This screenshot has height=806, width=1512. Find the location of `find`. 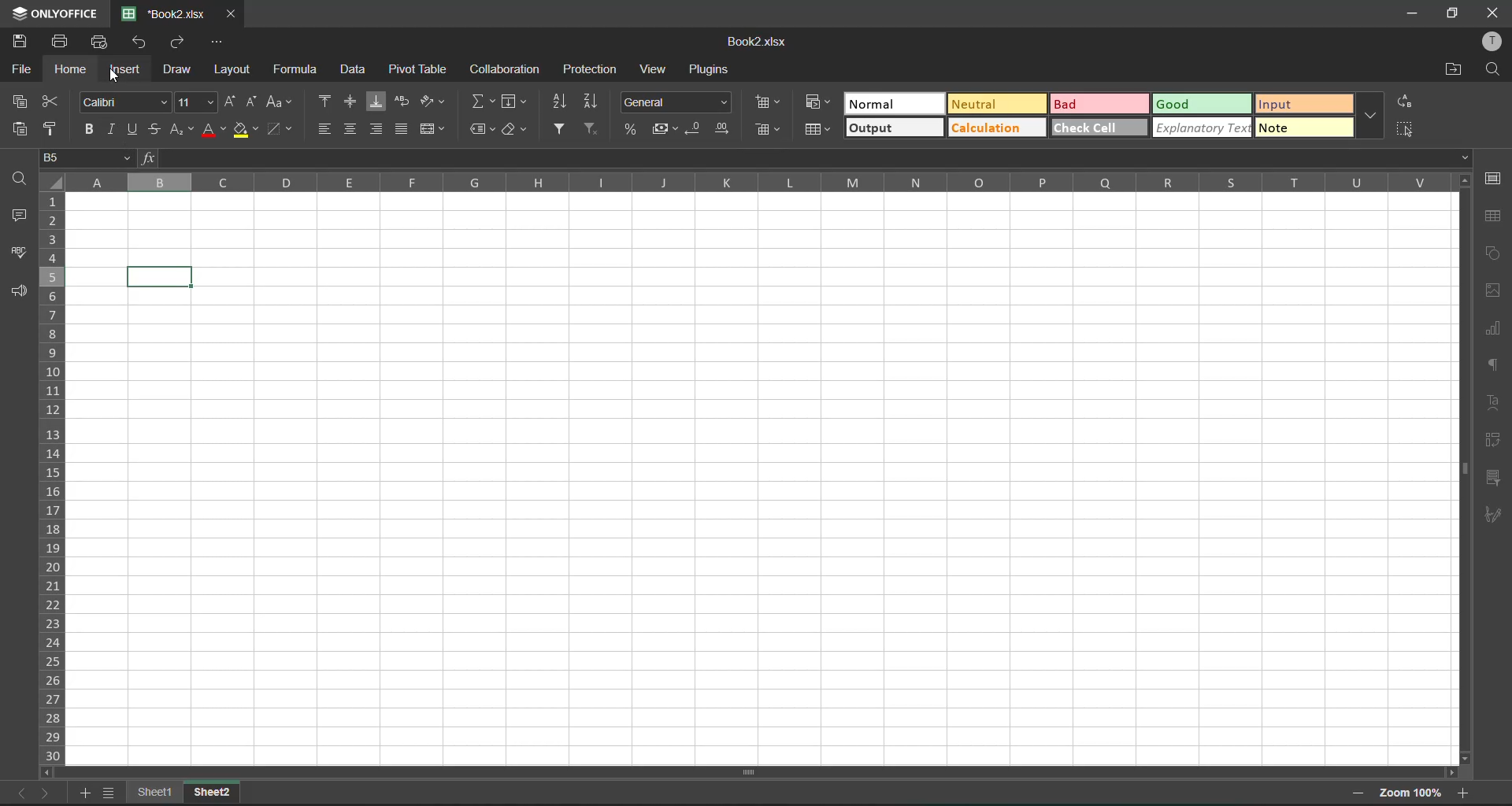

find is located at coordinates (22, 179).